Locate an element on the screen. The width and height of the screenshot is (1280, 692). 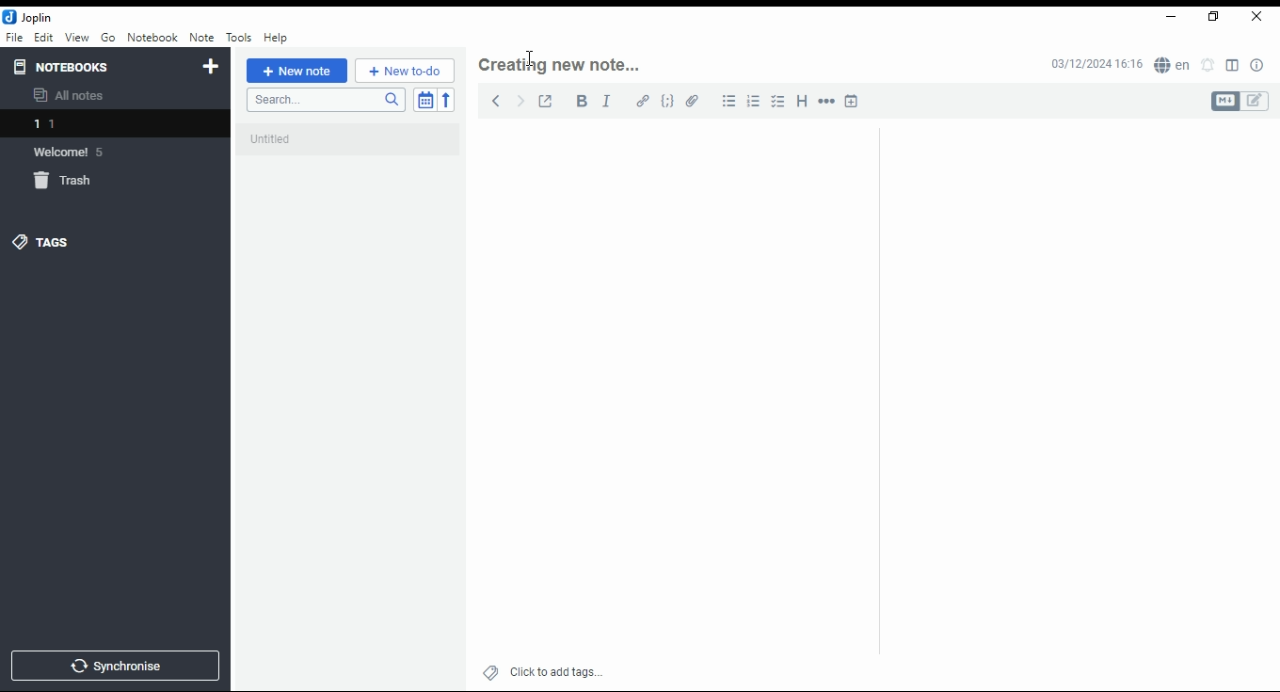
back is located at coordinates (496, 100).